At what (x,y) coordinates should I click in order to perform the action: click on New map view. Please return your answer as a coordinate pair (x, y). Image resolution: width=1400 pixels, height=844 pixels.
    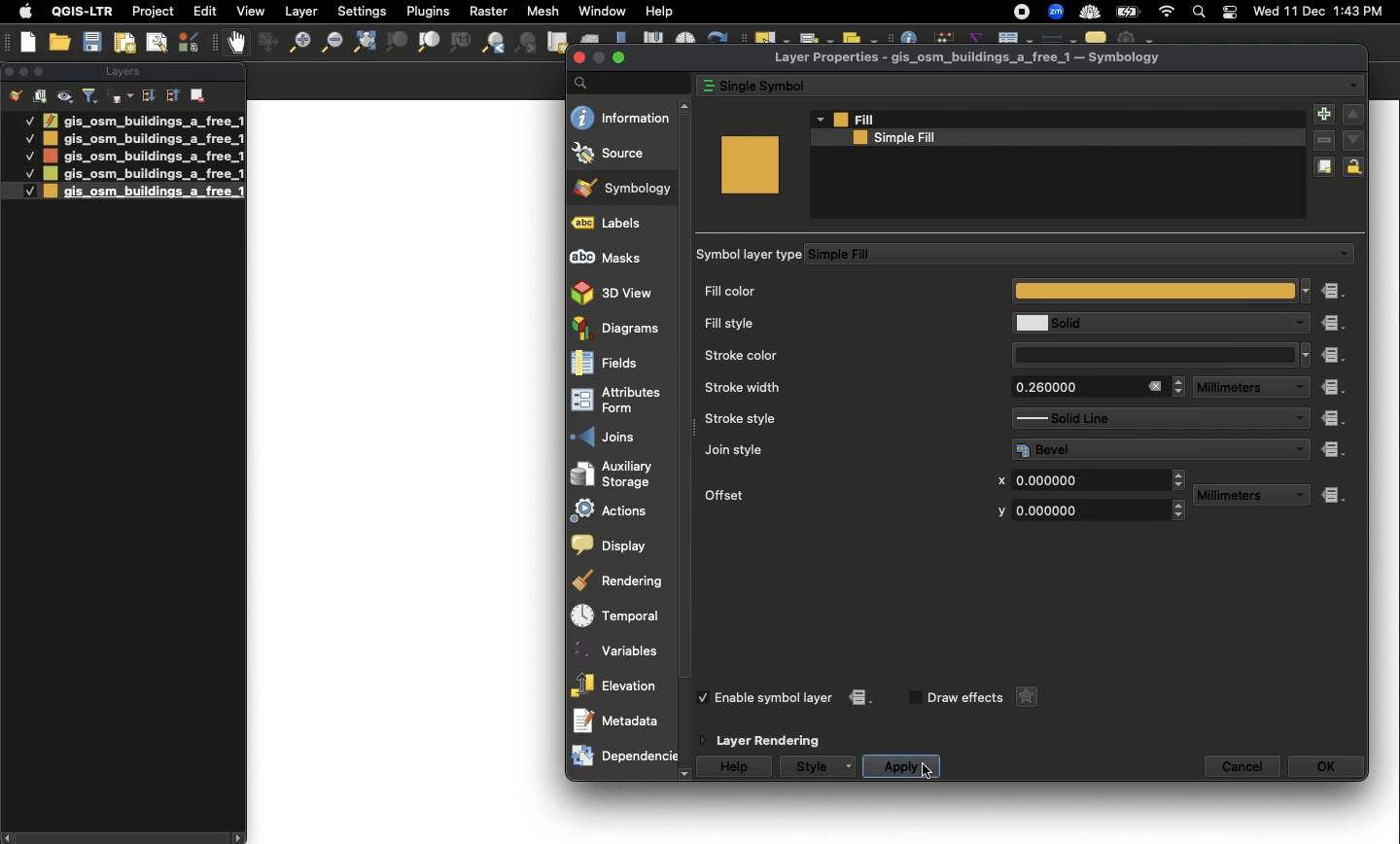
    Looking at the image, I should click on (556, 43).